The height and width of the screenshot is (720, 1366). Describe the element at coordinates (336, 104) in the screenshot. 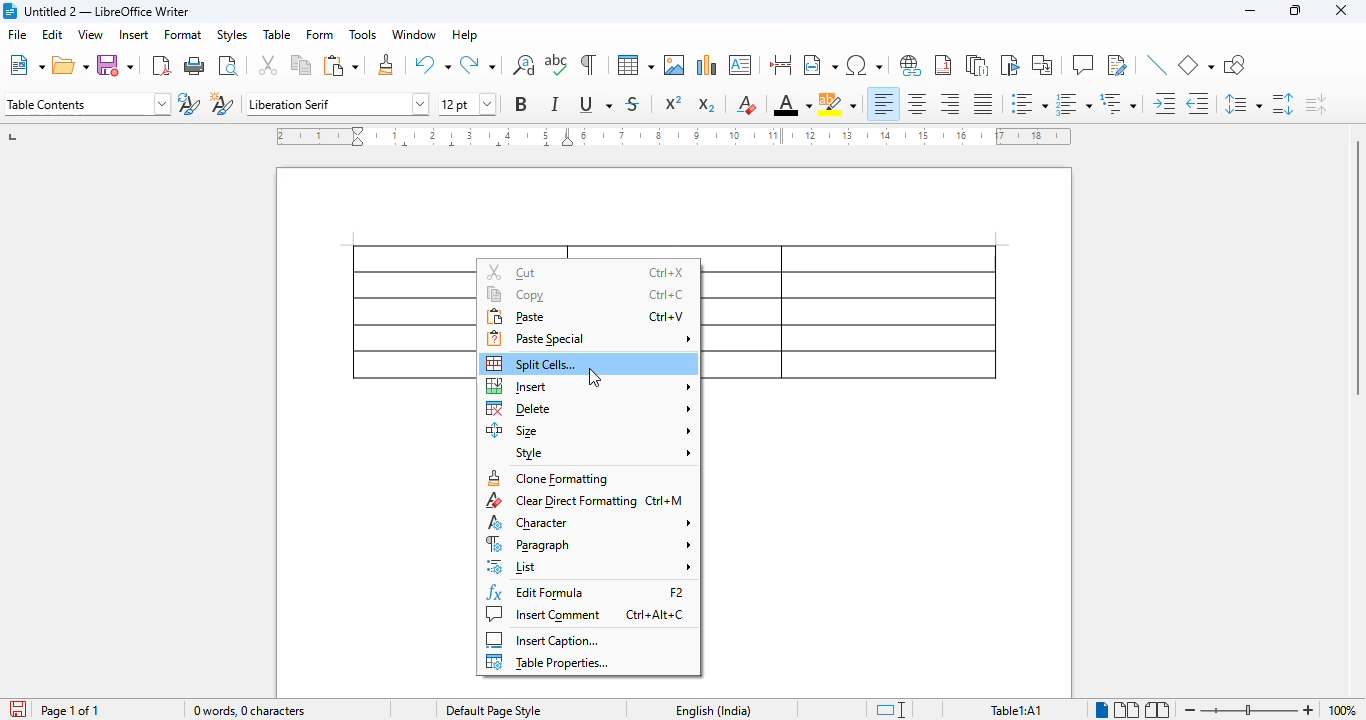

I see `font name` at that location.